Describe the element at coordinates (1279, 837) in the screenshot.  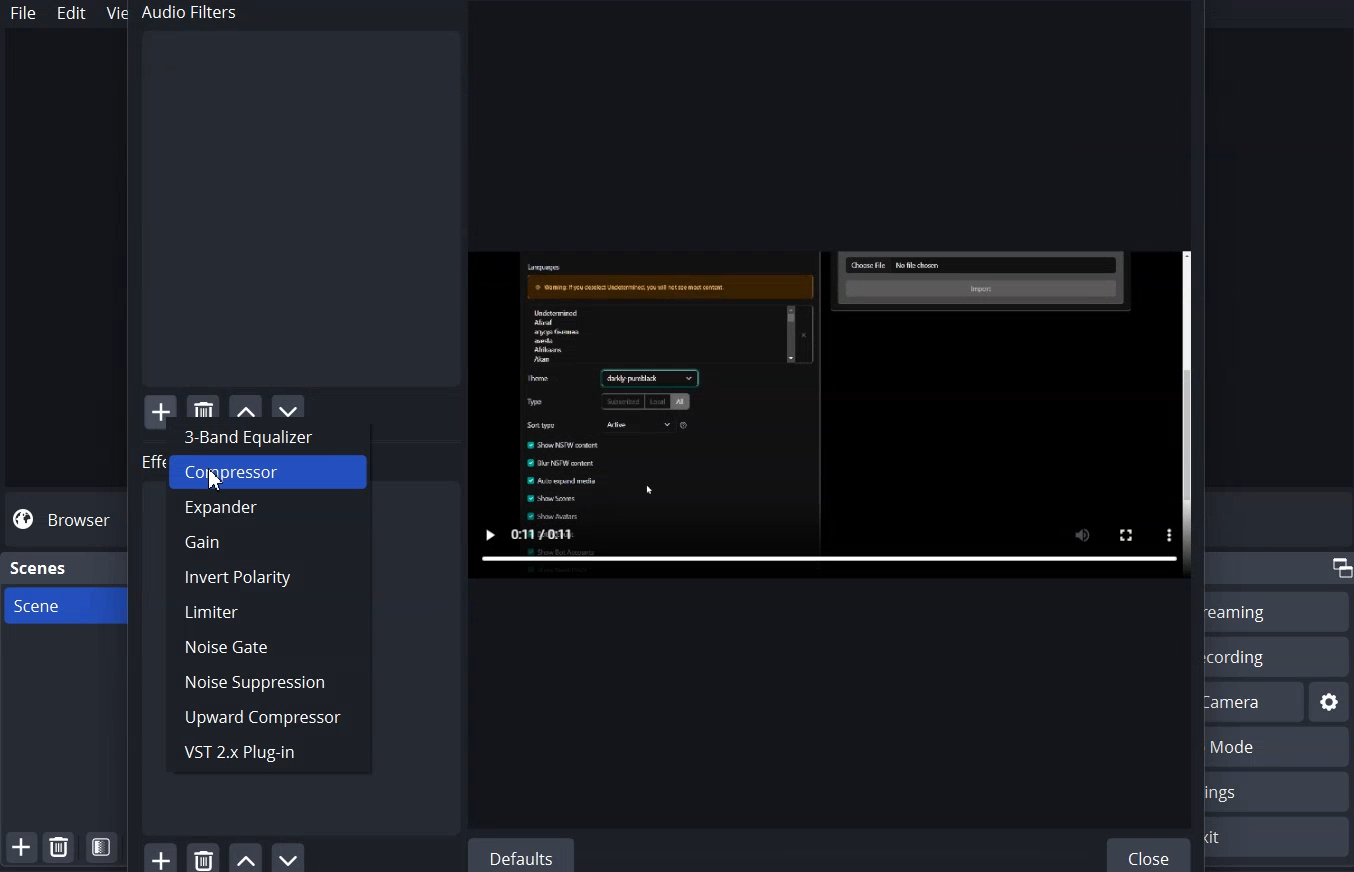
I see `Exit` at that location.